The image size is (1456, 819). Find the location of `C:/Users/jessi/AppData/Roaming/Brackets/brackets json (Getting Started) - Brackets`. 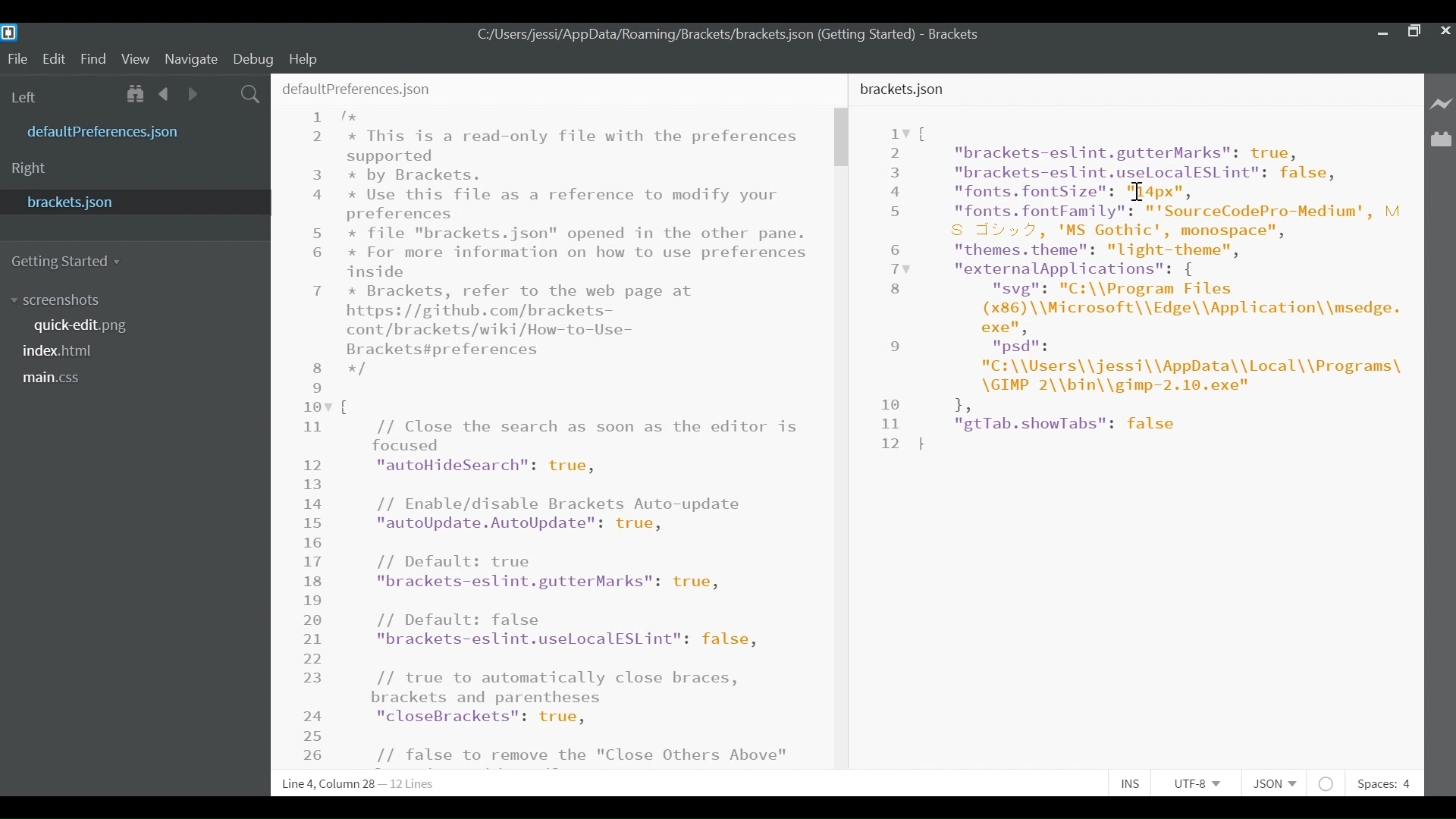

C:/Users/jessi/AppData/Roaming/Brackets/brackets json (Getting Started) - Brackets is located at coordinates (729, 34).